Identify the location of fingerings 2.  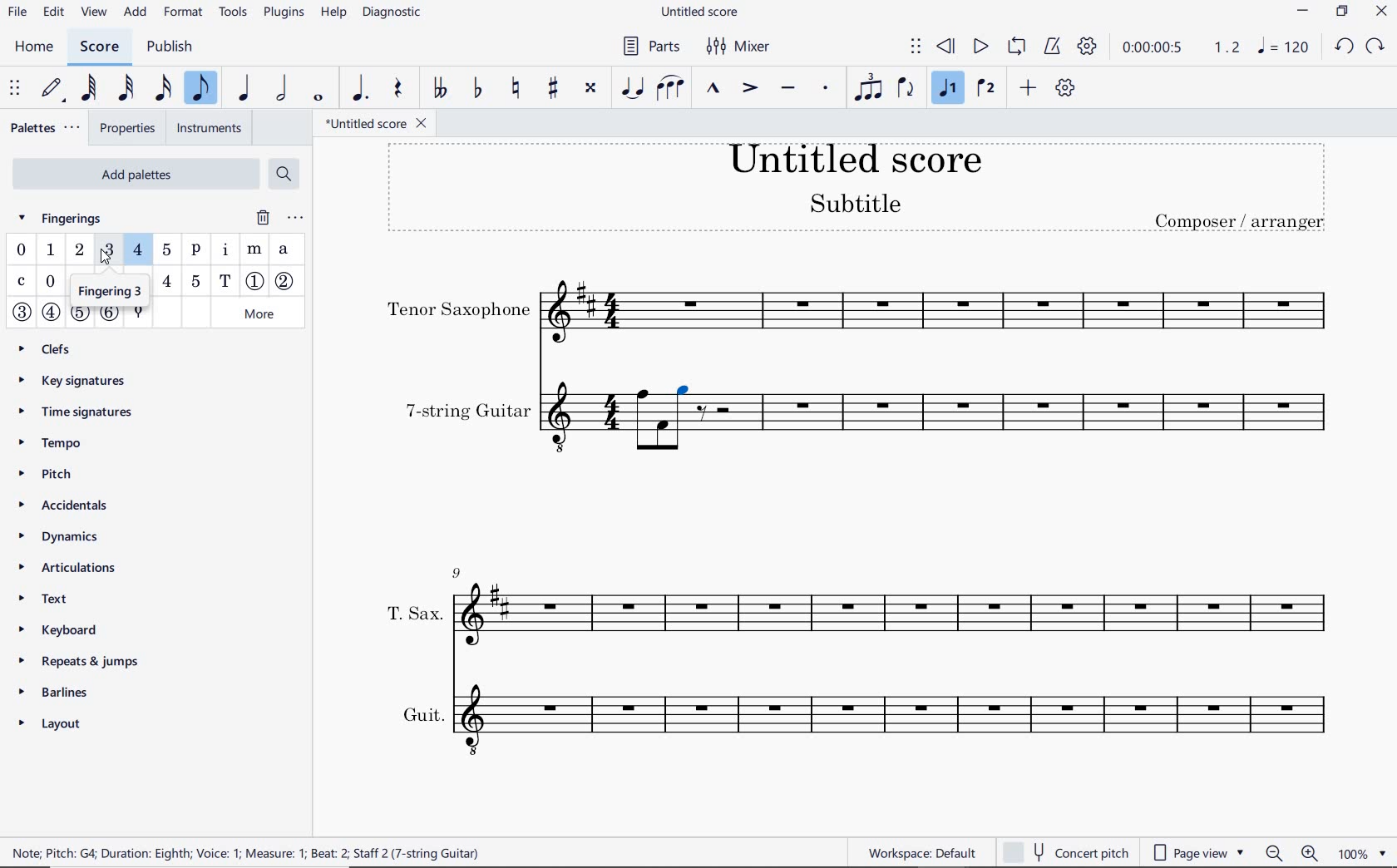
(78, 249).